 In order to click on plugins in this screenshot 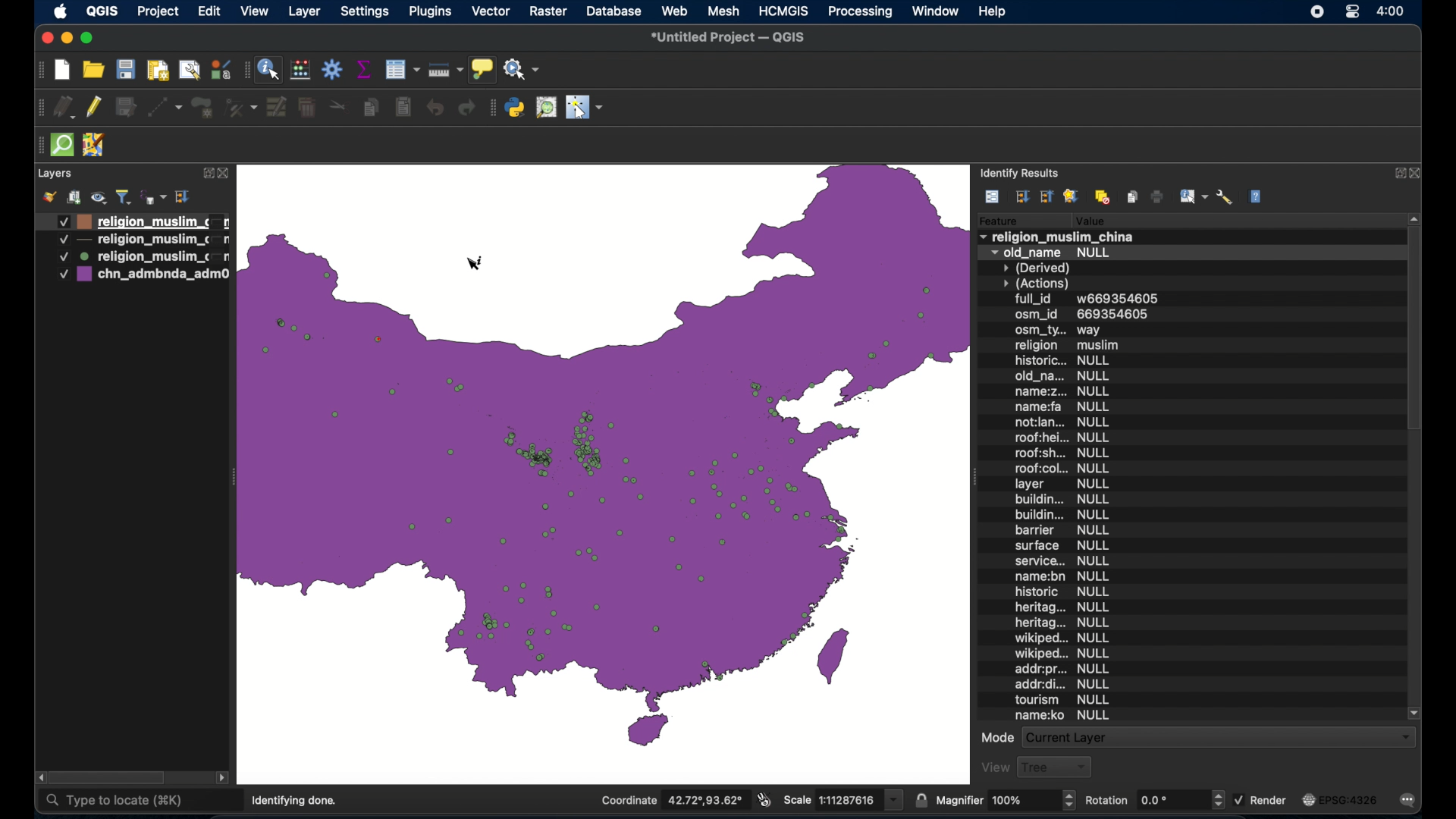, I will do `click(429, 11)`.